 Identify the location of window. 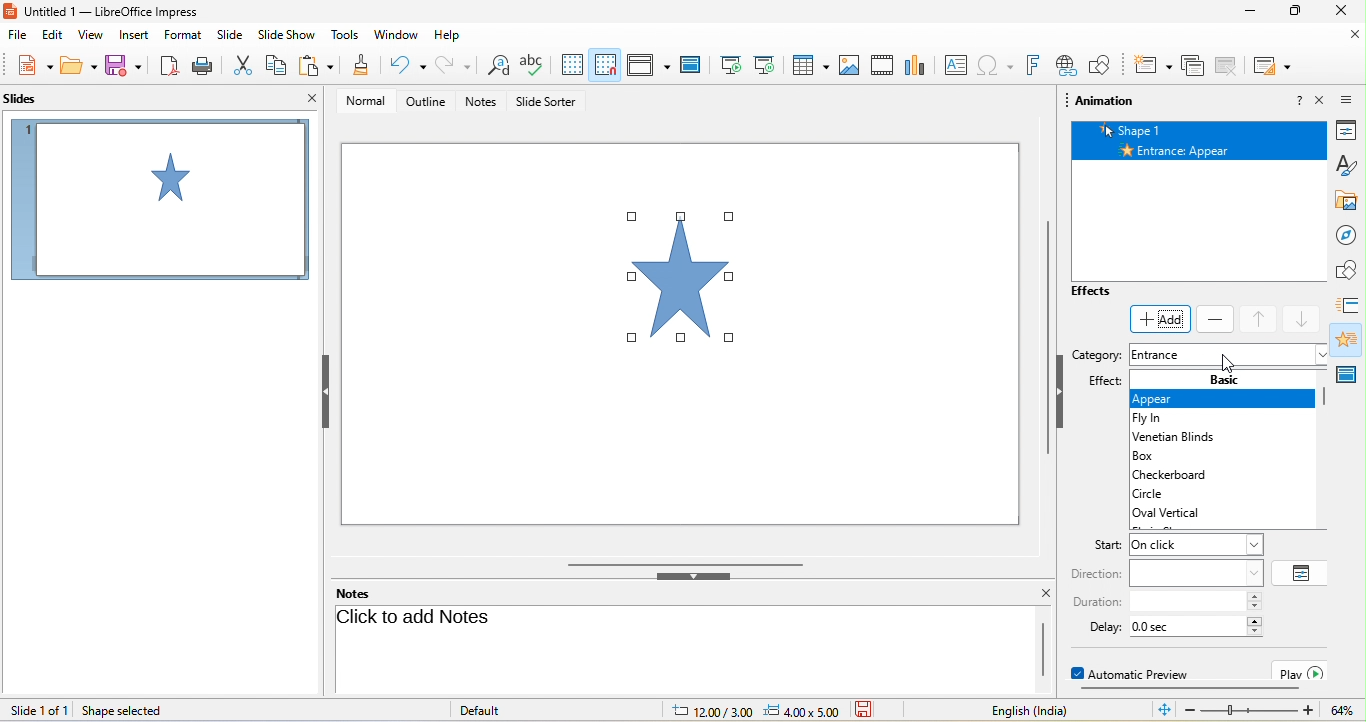
(399, 37).